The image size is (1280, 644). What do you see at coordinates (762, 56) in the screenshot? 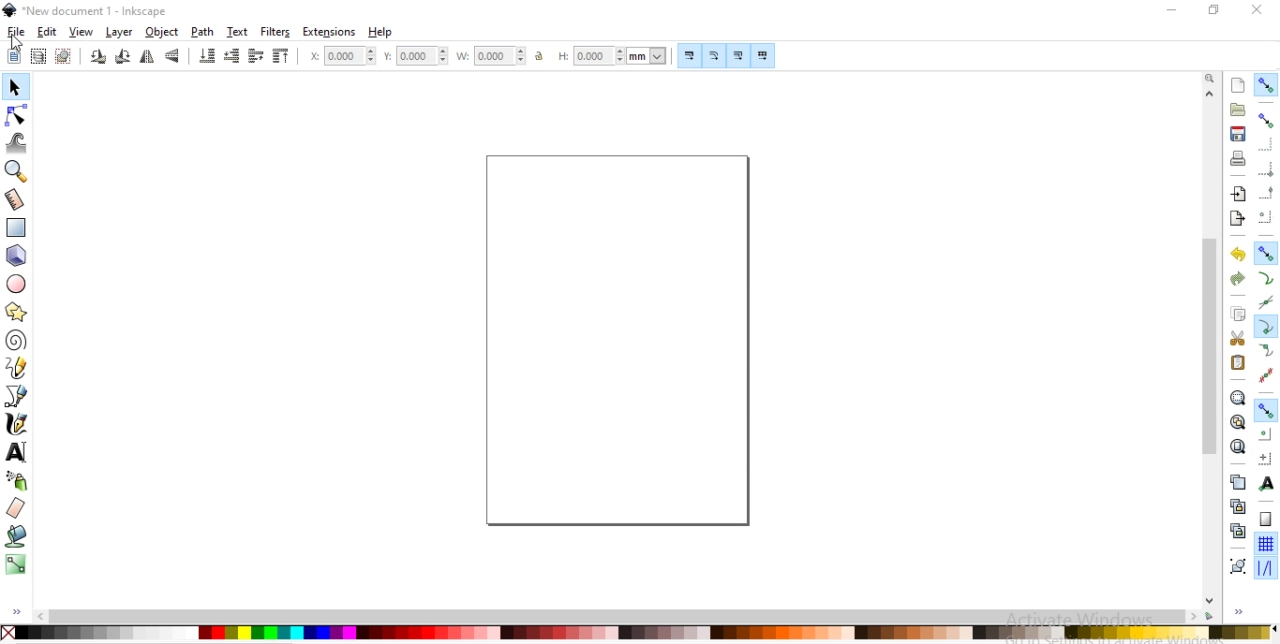
I see `move patterns along with objects` at bounding box center [762, 56].